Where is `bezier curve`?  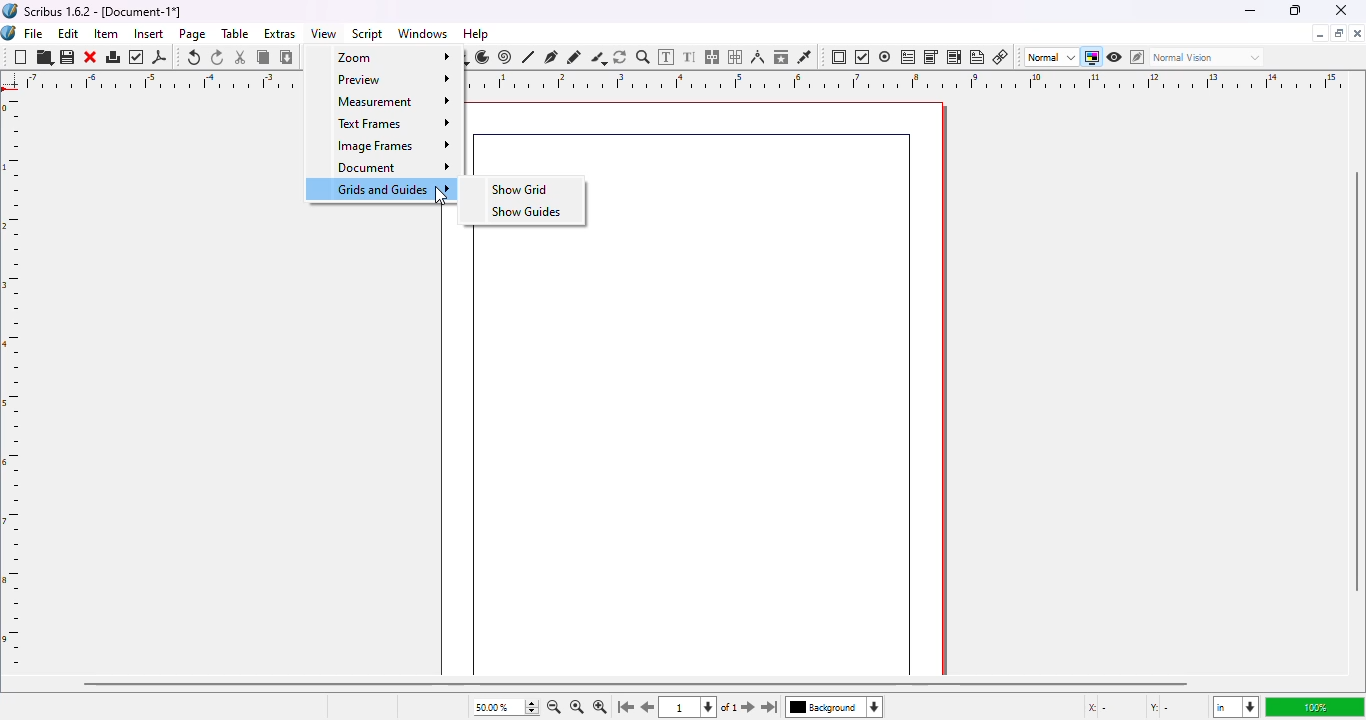 bezier curve is located at coordinates (552, 56).